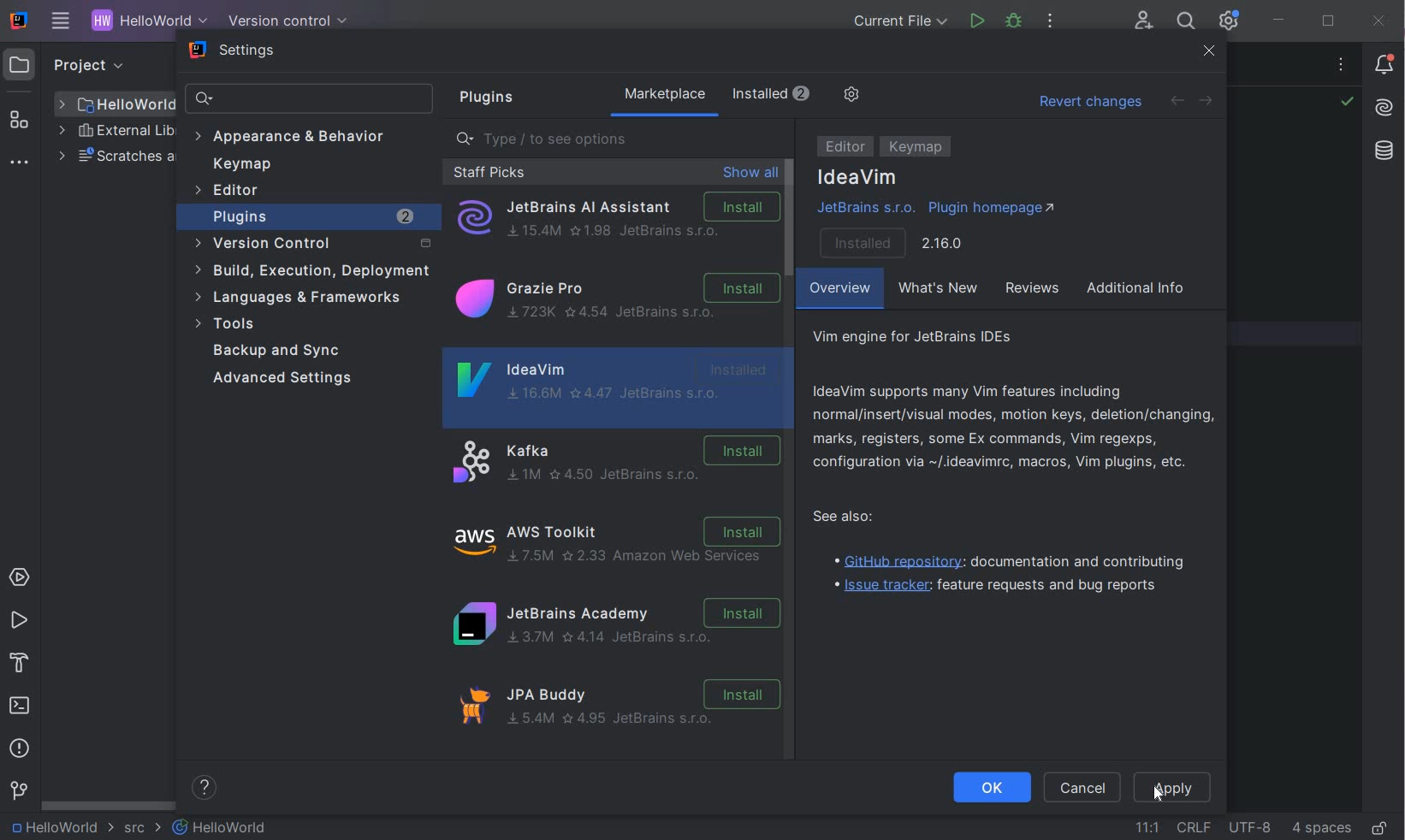 The height and width of the screenshot is (840, 1405). What do you see at coordinates (16, 21) in the screenshot?
I see `SYSTEM NAME` at bounding box center [16, 21].